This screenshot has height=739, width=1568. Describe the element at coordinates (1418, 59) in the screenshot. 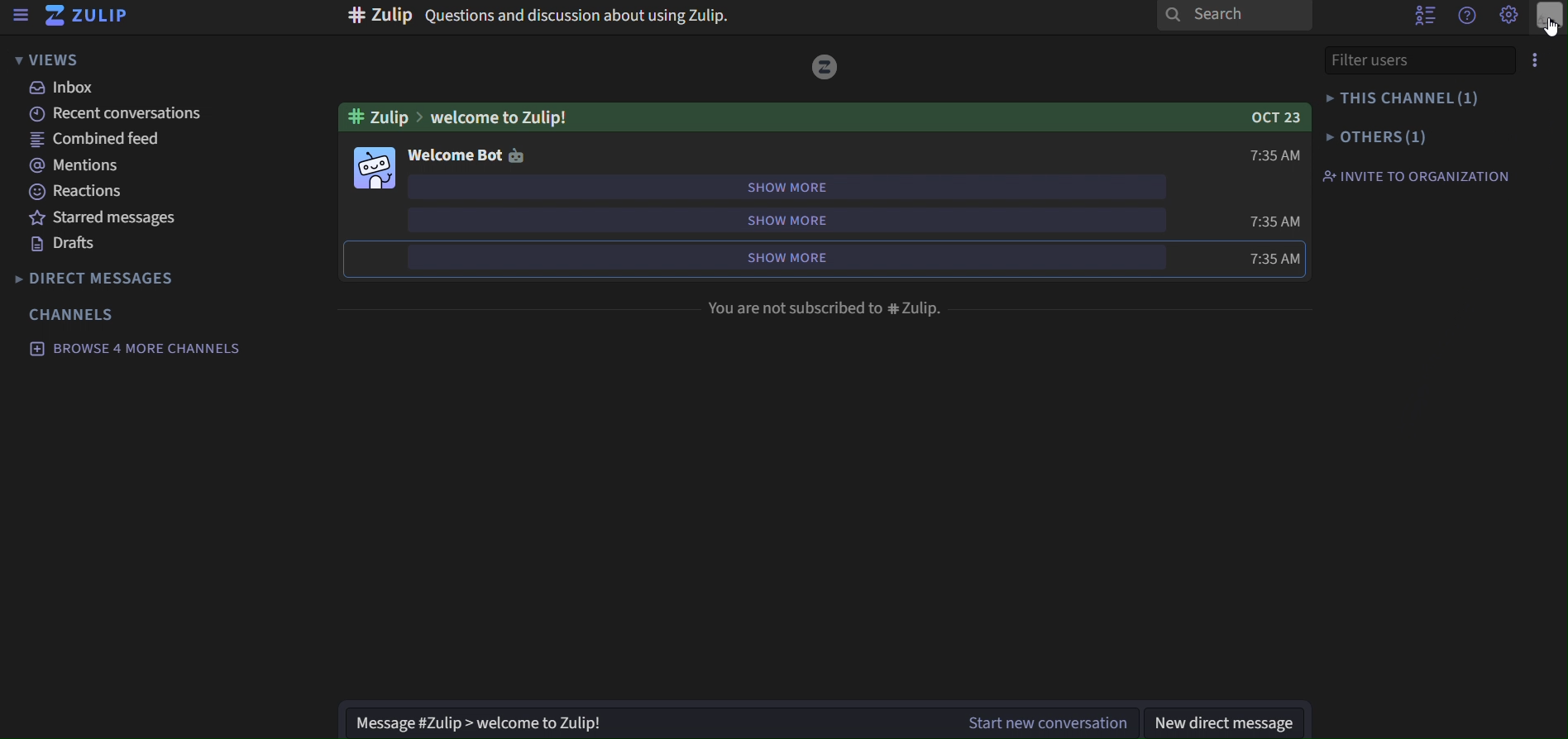

I see `filter users` at that location.